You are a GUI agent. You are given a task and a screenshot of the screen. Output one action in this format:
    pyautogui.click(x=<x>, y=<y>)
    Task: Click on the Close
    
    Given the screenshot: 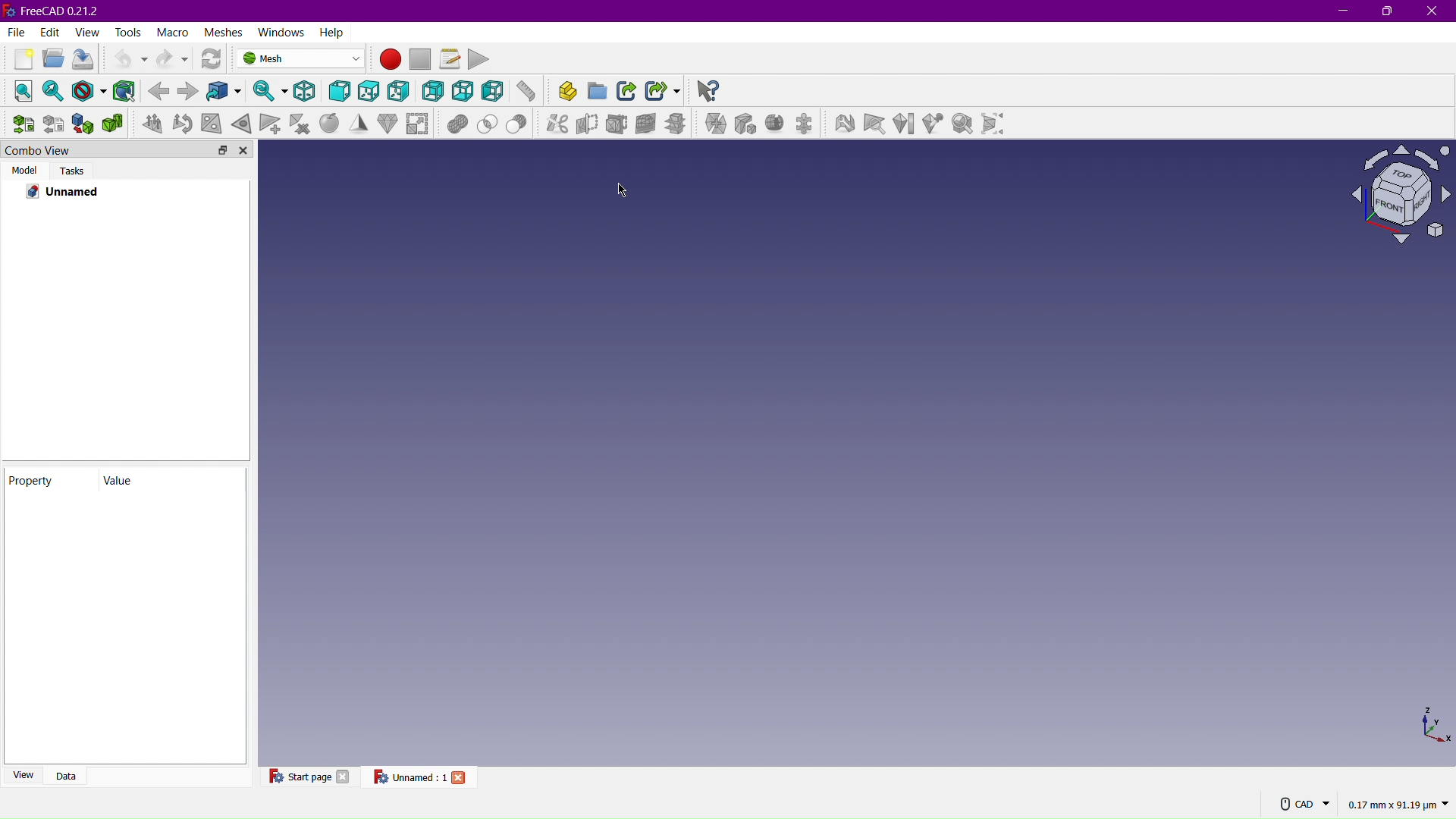 What is the action you would take?
    pyautogui.click(x=1432, y=11)
    